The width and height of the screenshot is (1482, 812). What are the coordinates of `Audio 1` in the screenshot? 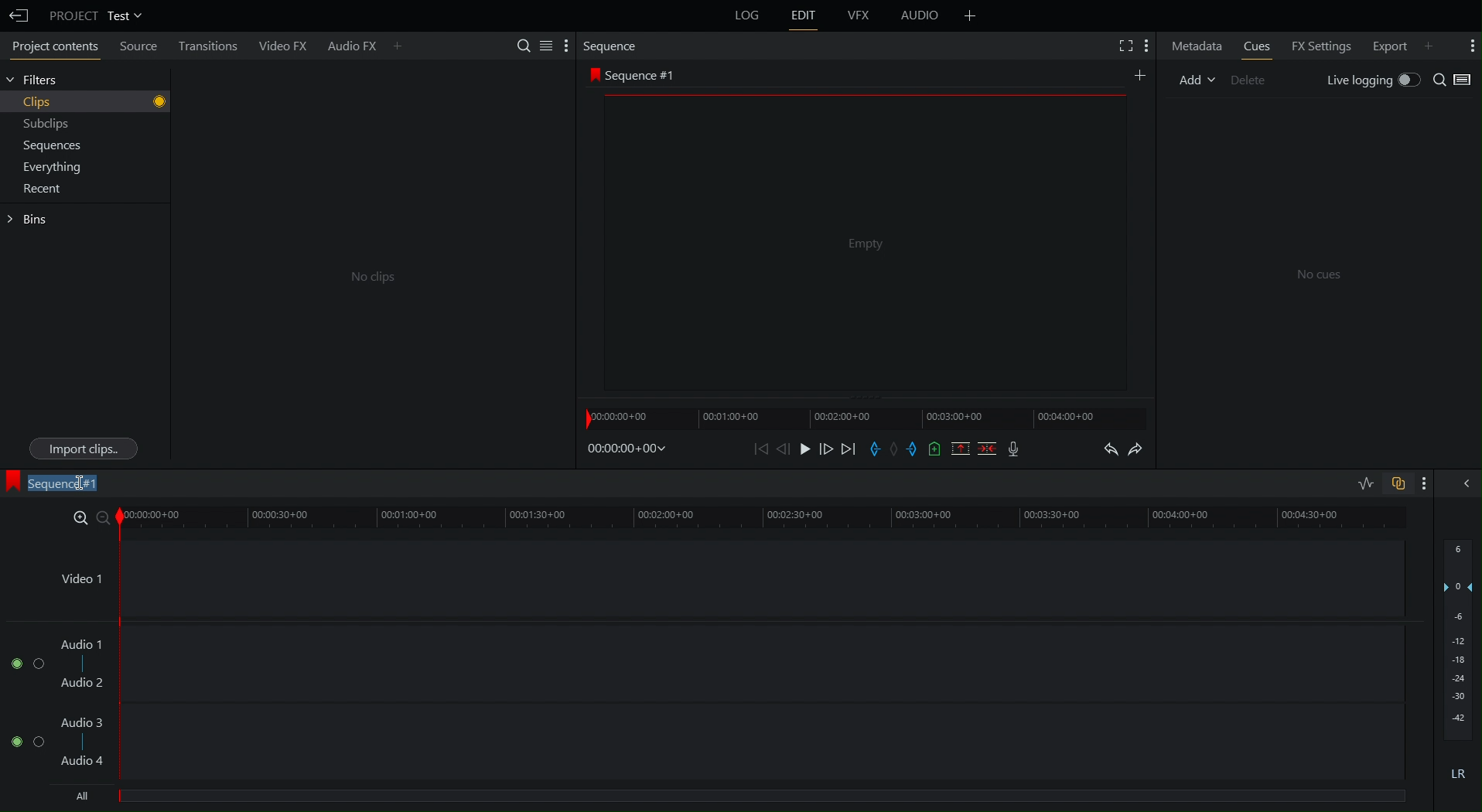 It's located at (84, 644).